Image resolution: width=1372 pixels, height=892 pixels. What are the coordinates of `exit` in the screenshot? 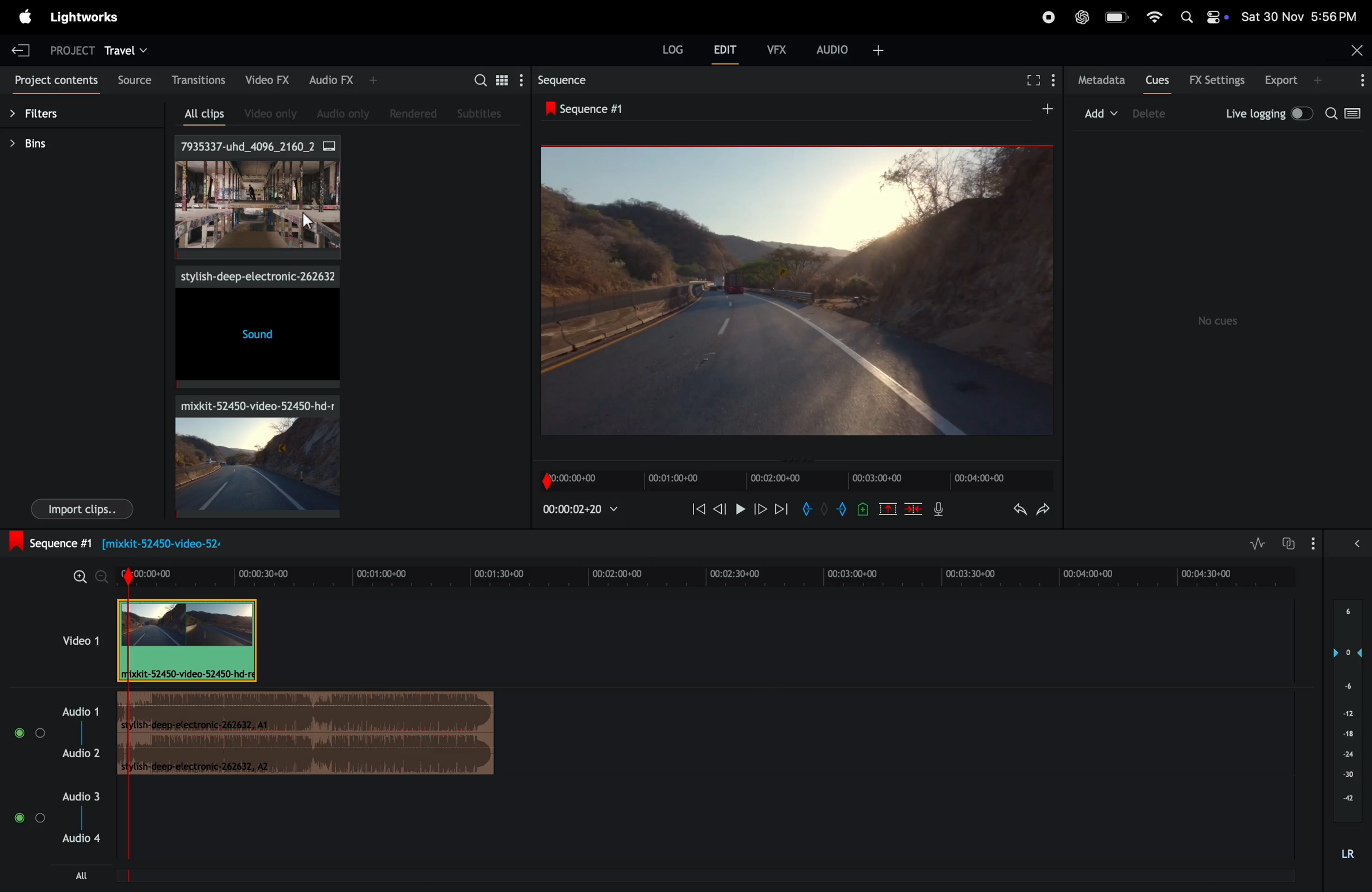 It's located at (21, 50).